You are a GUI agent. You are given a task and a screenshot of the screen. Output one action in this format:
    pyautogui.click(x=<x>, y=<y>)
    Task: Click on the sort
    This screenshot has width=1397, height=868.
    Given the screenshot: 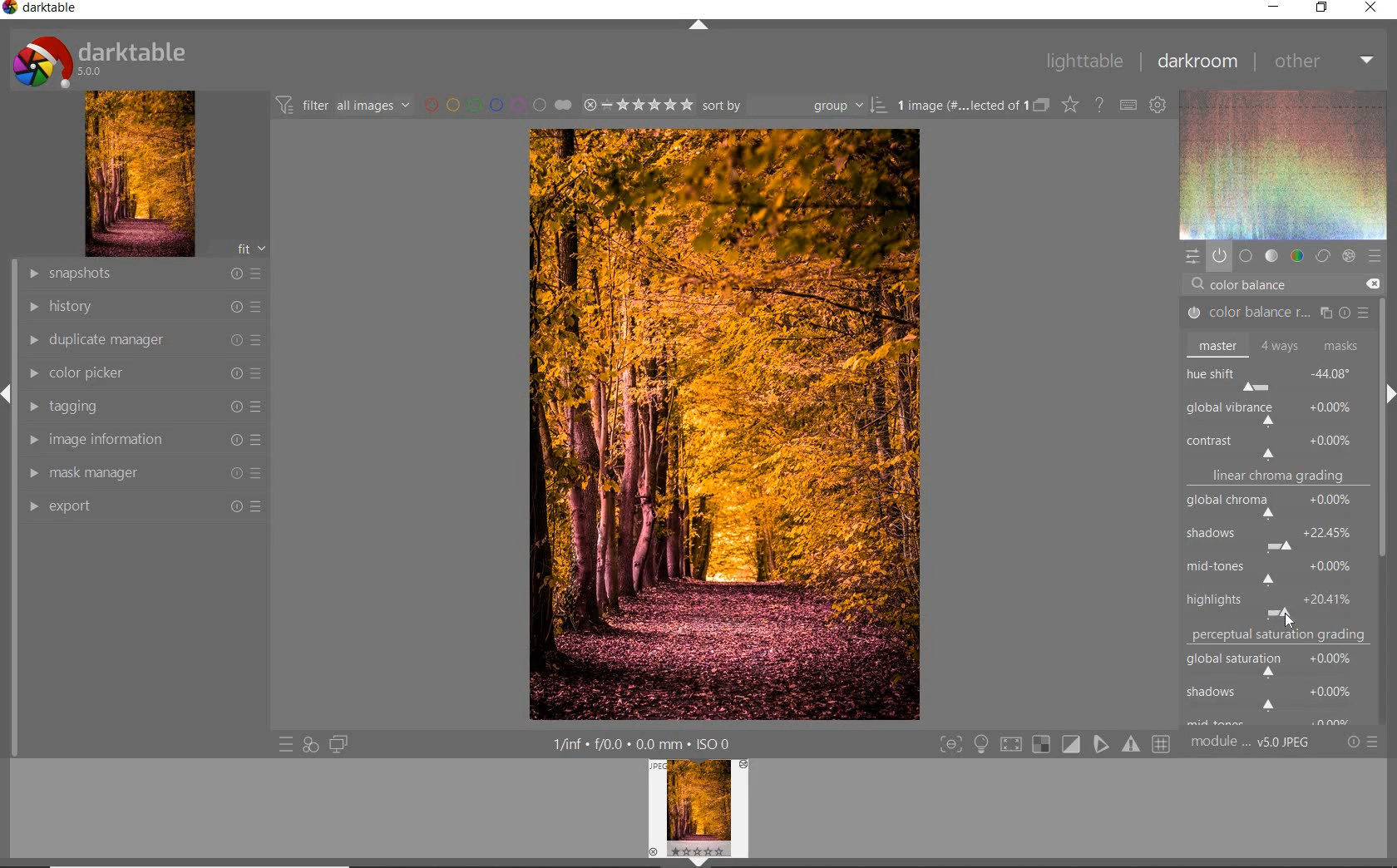 What is the action you would take?
    pyautogui.click(x=794, y=106)
    